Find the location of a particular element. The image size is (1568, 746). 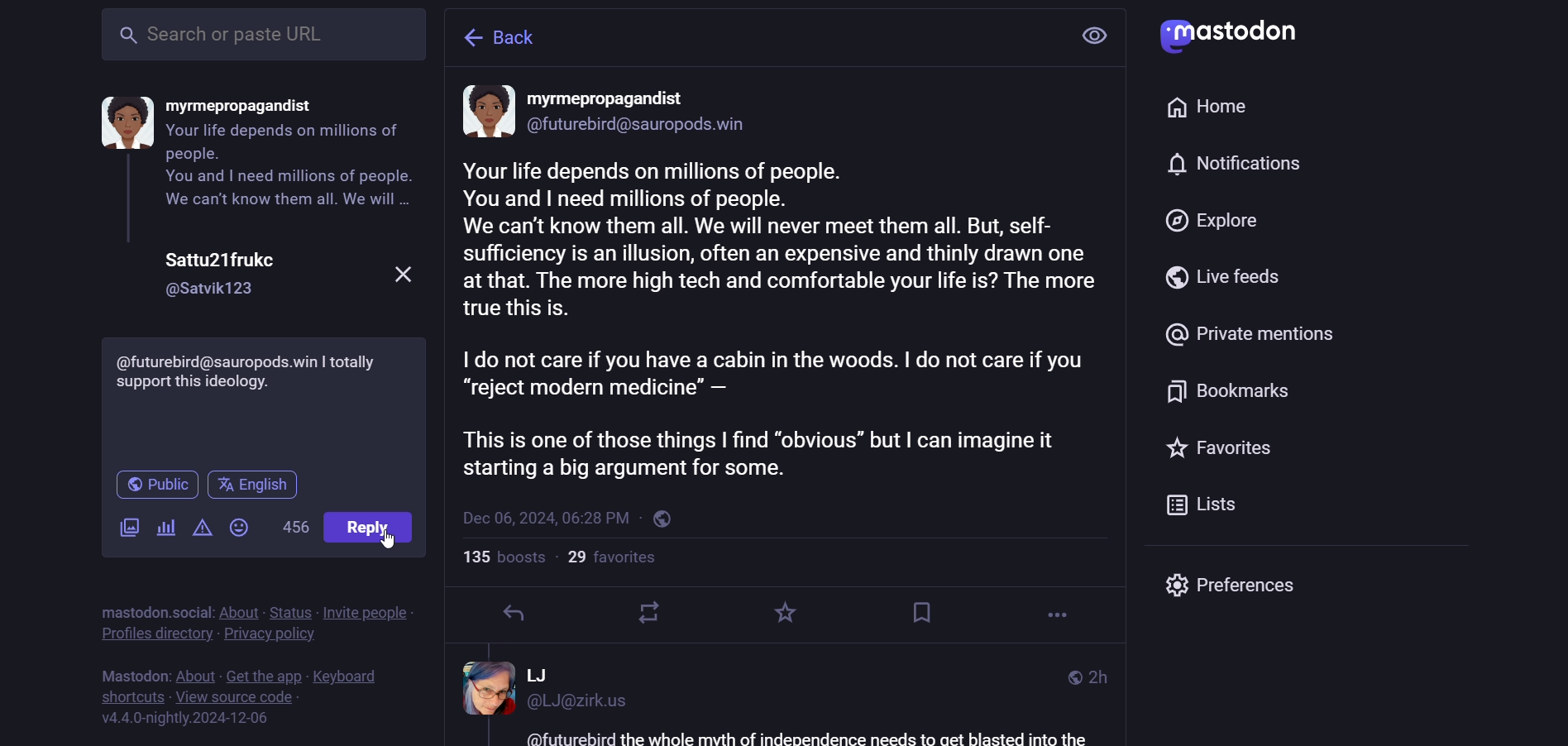

id is located at coordinates (217, 289).